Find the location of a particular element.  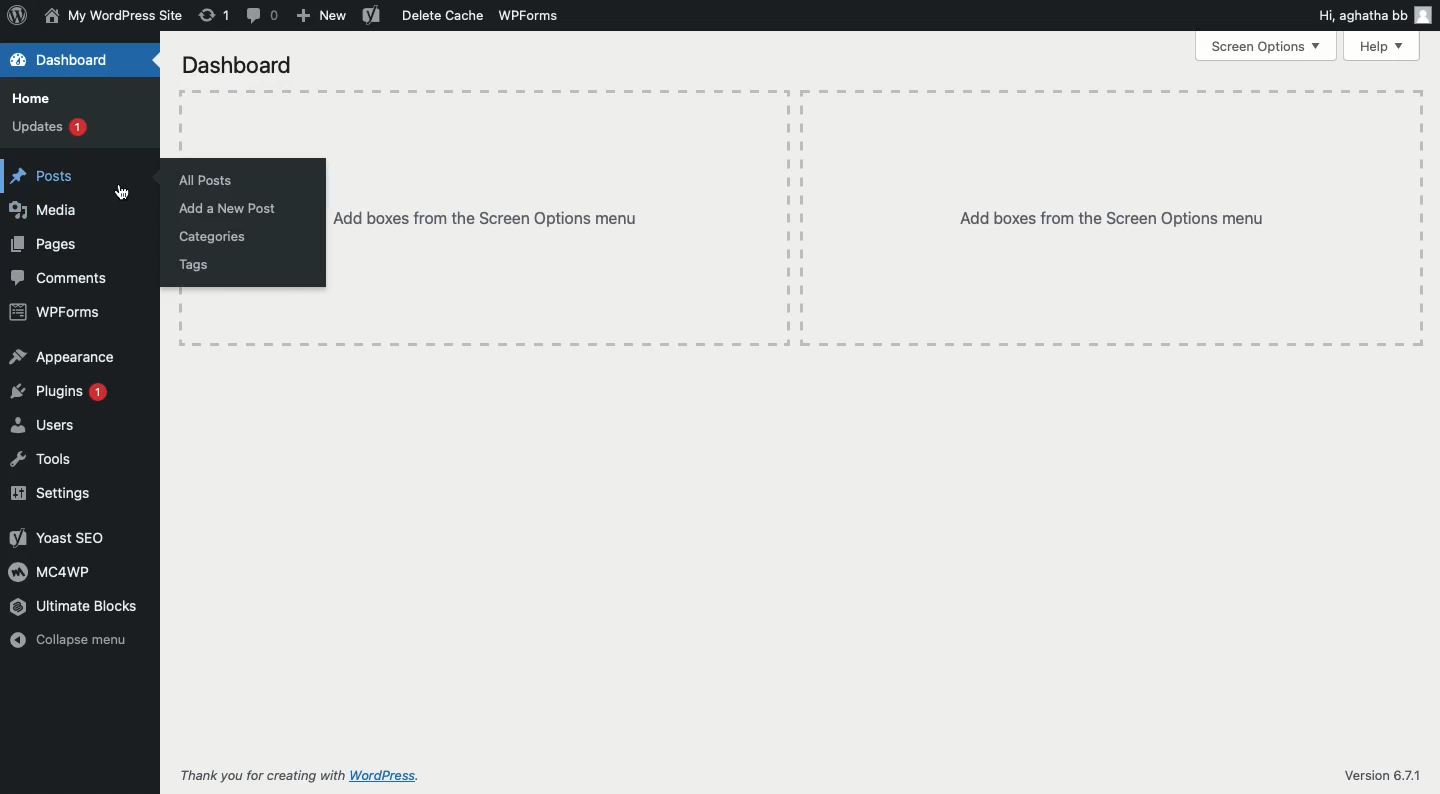

Add a new post is located at coordinates (226, 209).